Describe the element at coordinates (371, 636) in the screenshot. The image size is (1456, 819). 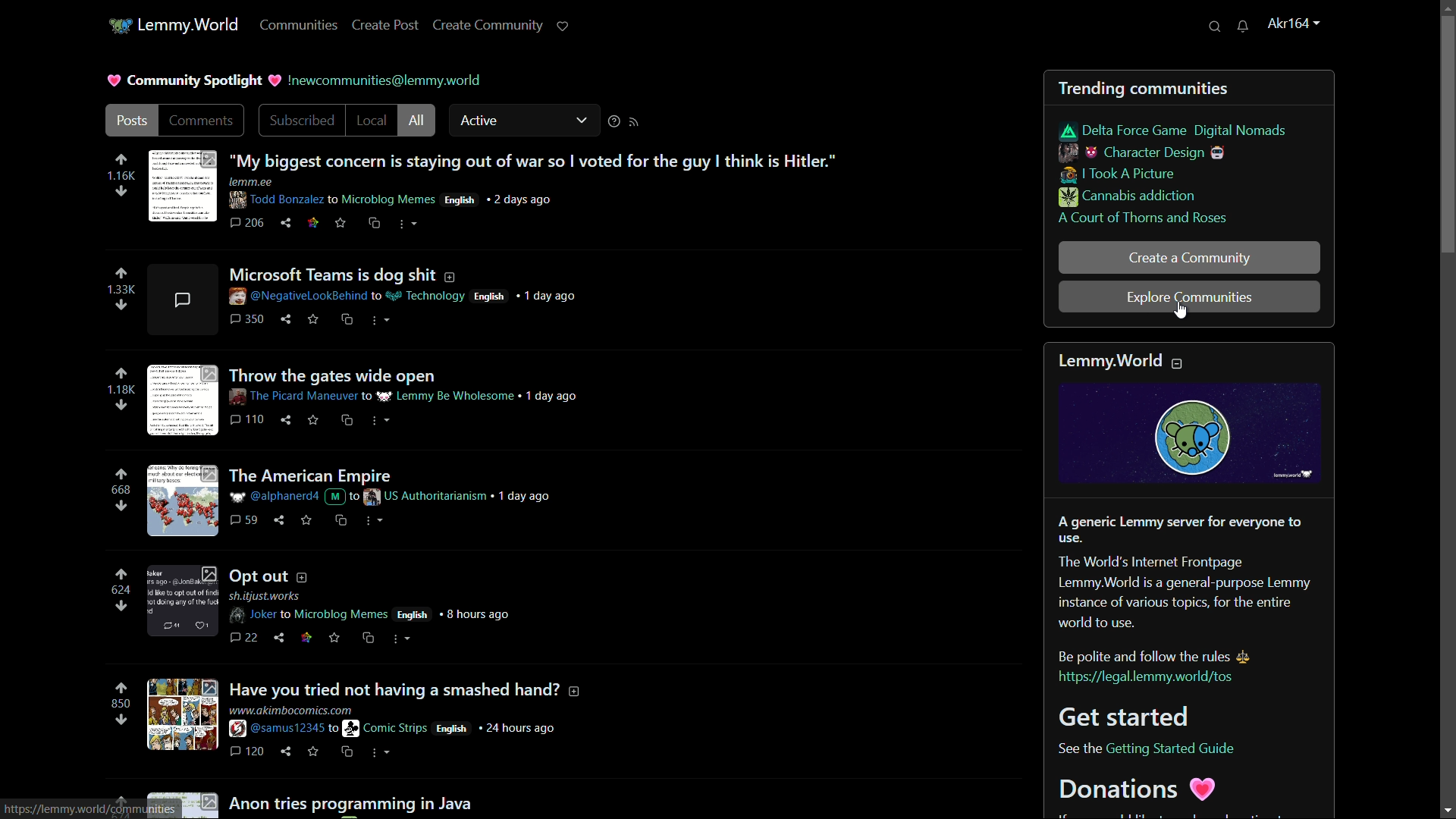
I see `cross share` at that location.